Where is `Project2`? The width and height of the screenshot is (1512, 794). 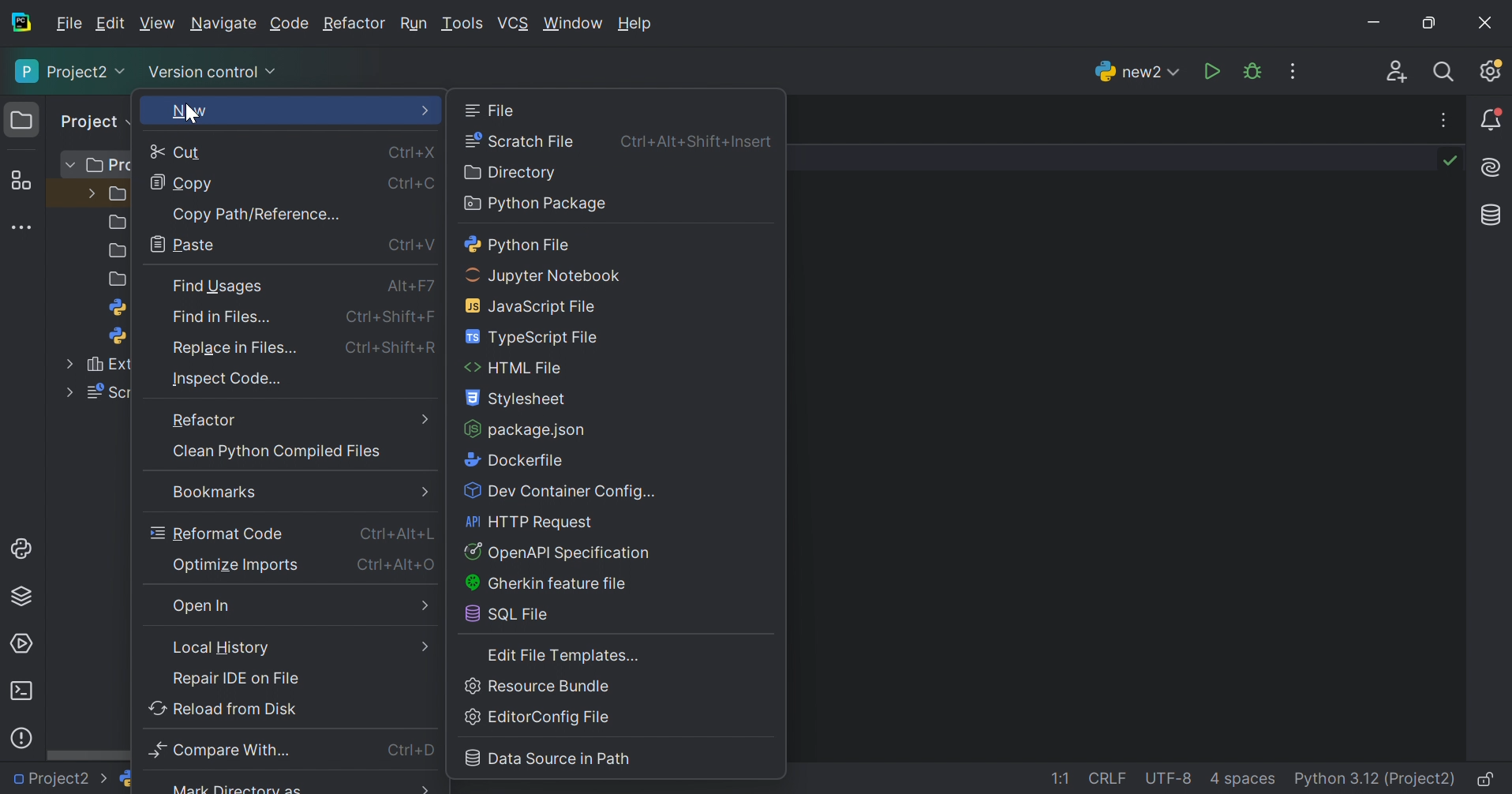 Project2 is located at coordinates (61, 780).